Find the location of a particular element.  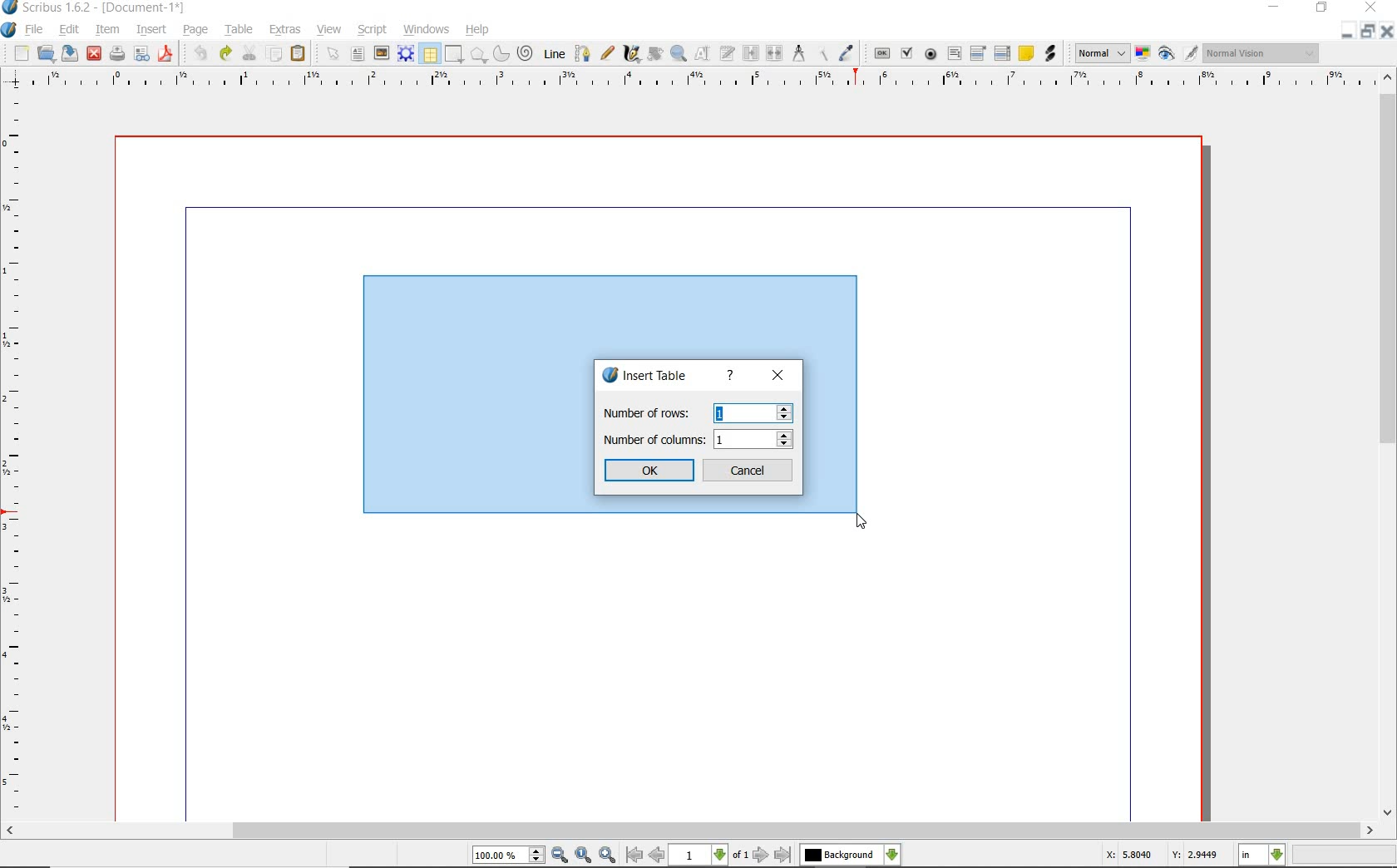

scrollbar is located at coordinates (691, 831).